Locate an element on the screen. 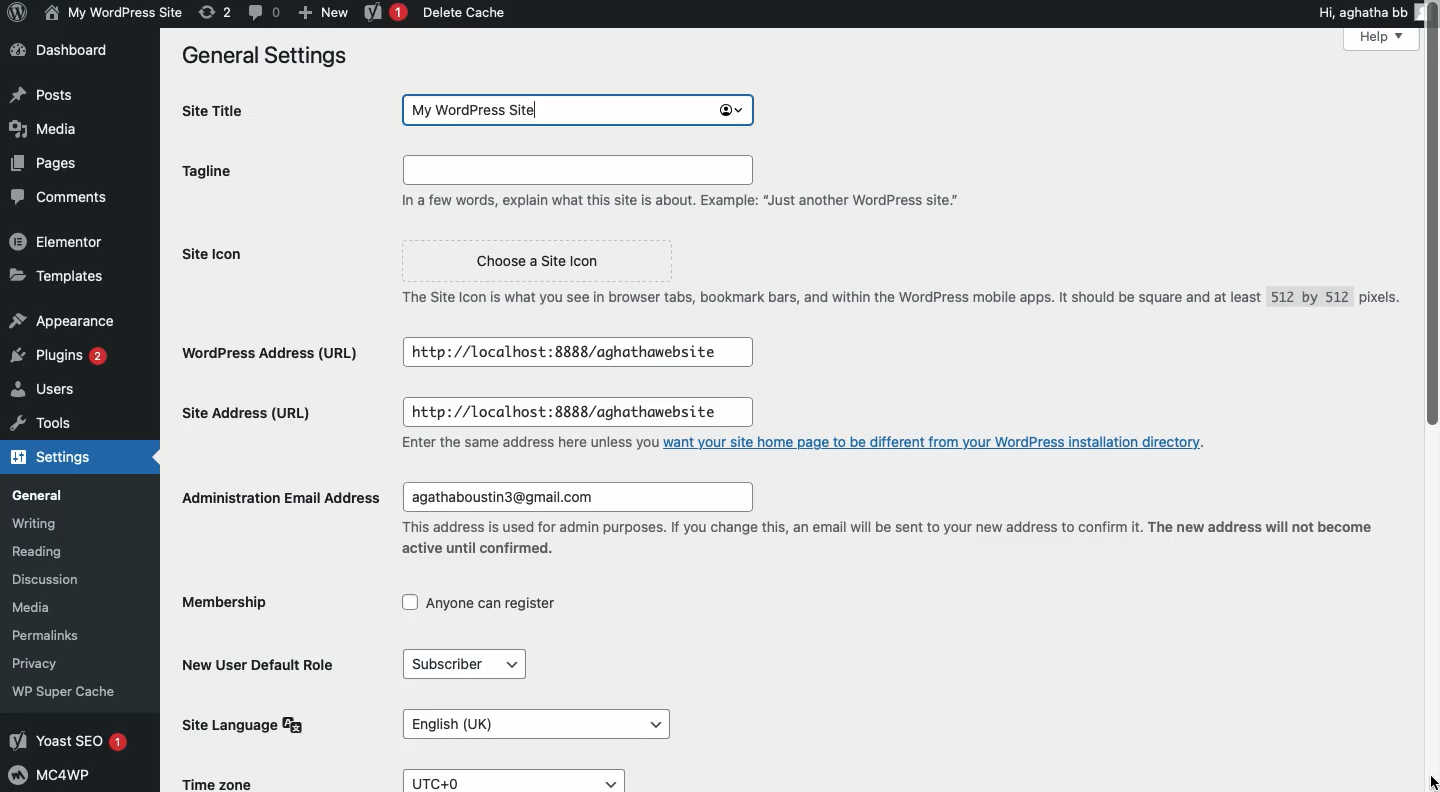 The height and width of the screenshot is (792, 1440). Users is located at coordinates (45, 391).